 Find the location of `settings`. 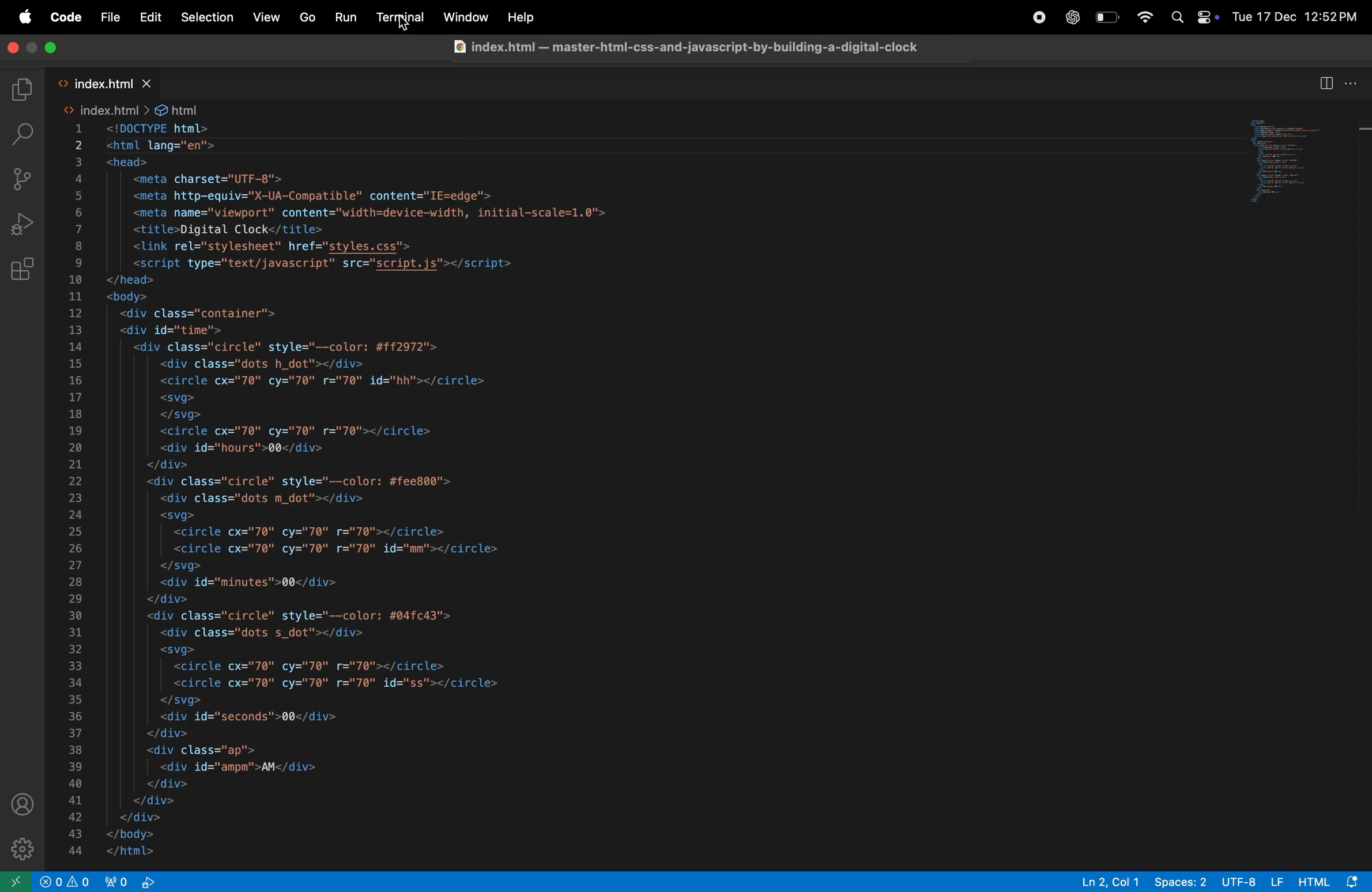

settings is located at coordinates (21, 849).